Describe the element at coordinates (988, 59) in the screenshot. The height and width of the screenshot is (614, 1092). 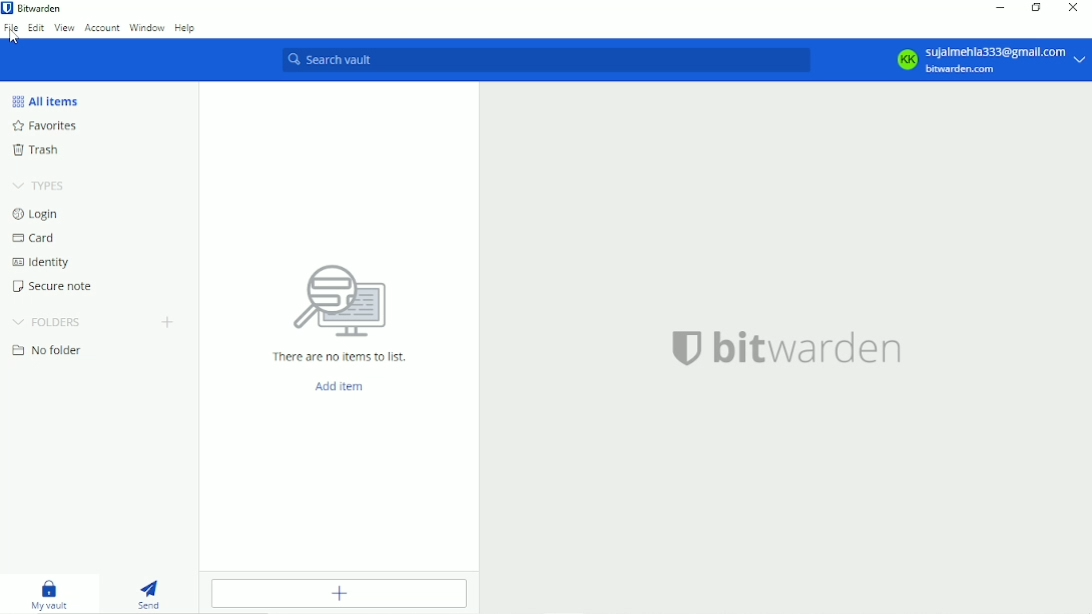
I see `KK sujalmehla333@gmail.com      bitwarden.com` at that location.